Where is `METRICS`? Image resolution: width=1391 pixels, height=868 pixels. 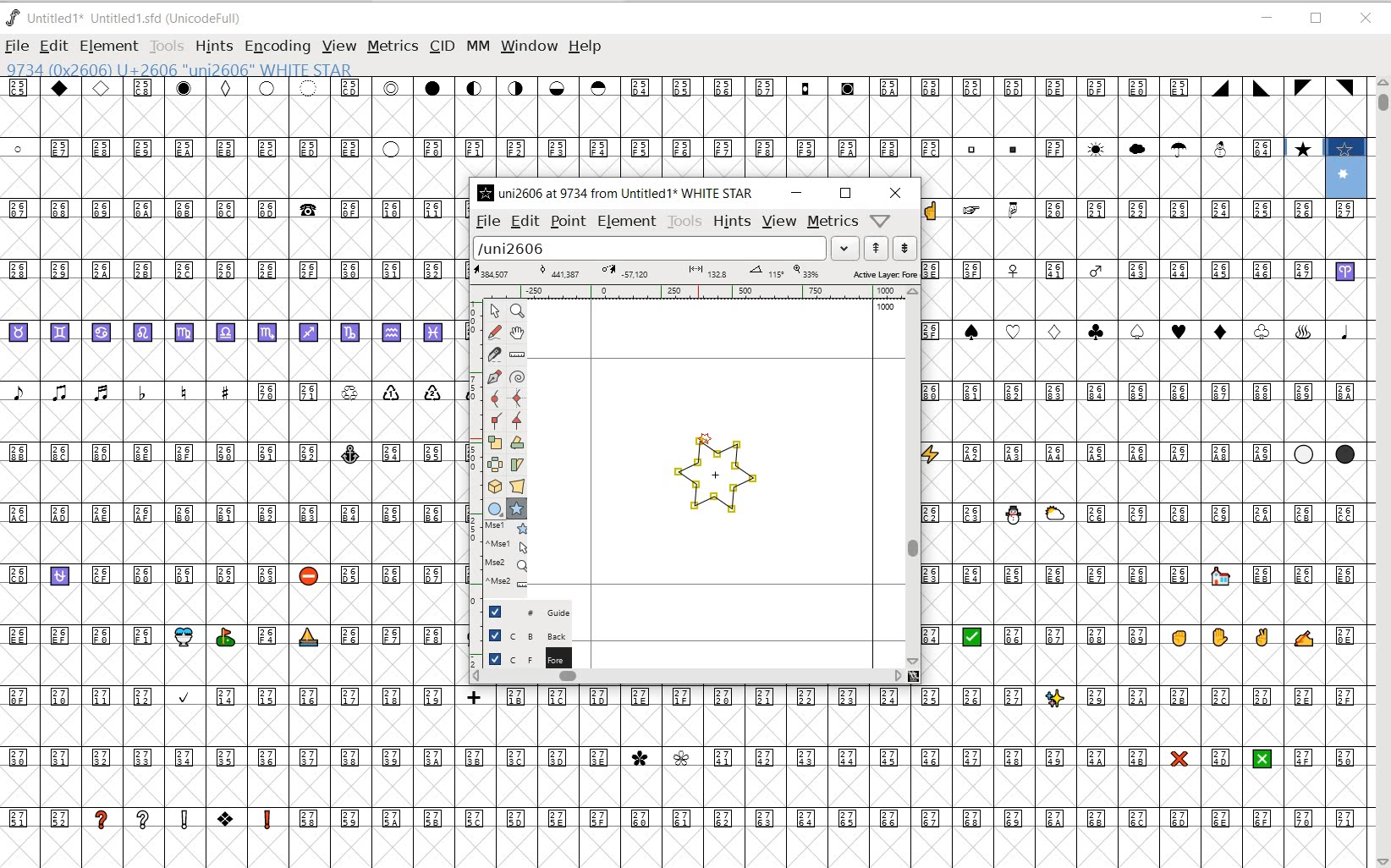
METRICS is located at coordinates (392, 46).